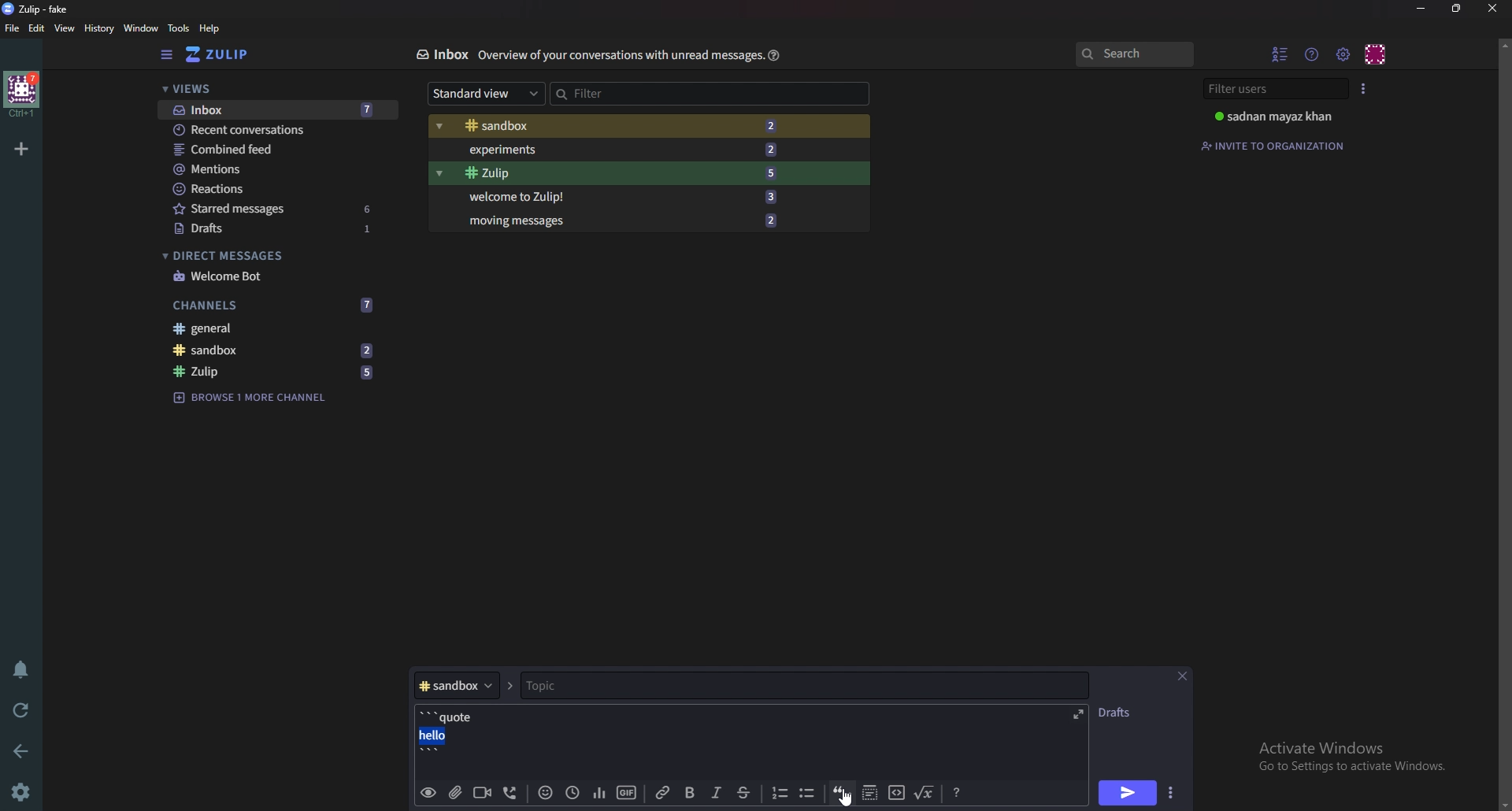  What do you see at coordinates (368, 371) in the screenshot?
I see `5` at bounding box center [368, 371].